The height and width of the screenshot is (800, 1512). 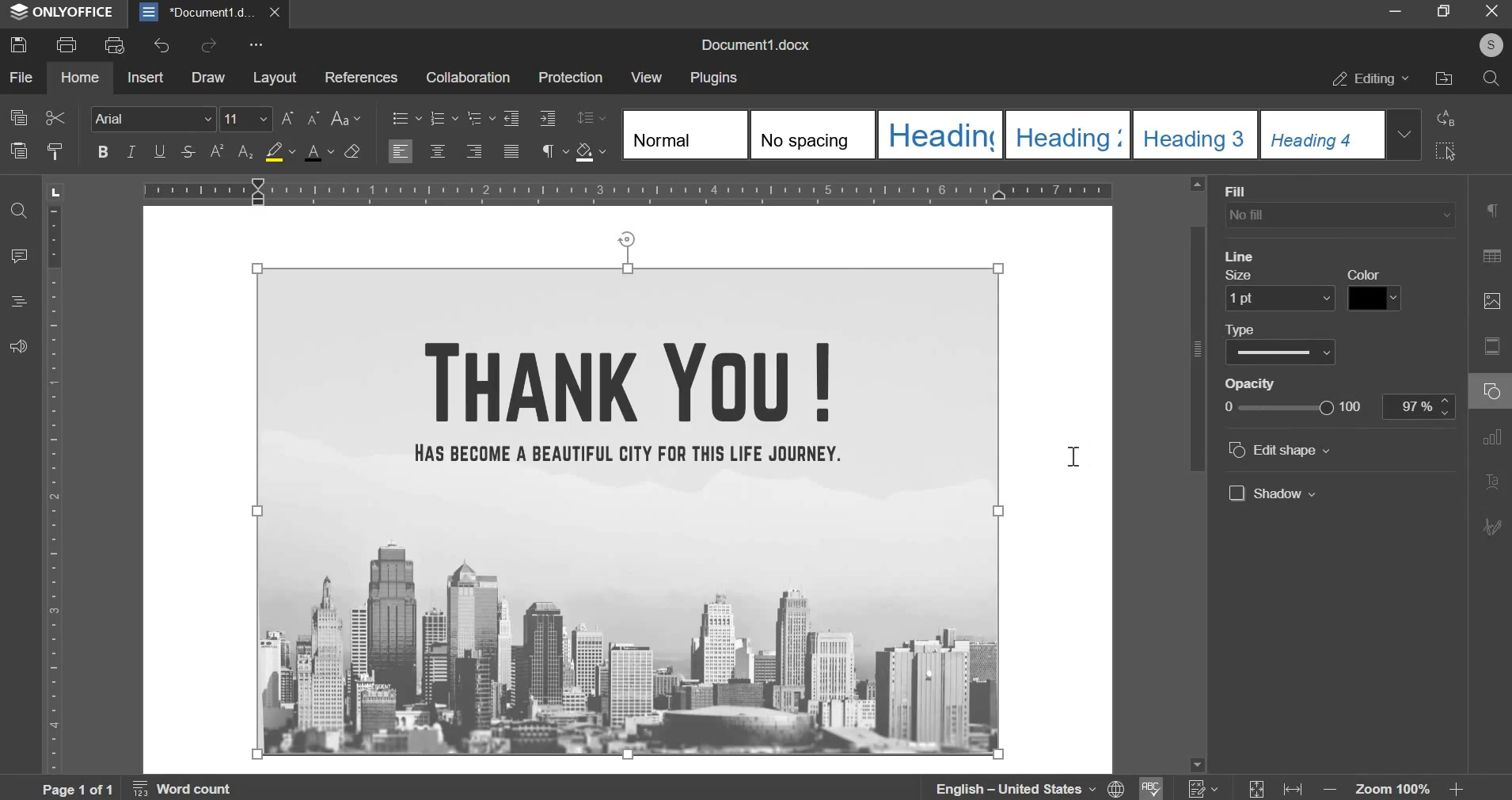 I want to click on decrease indent, so click(x=511, y=118).